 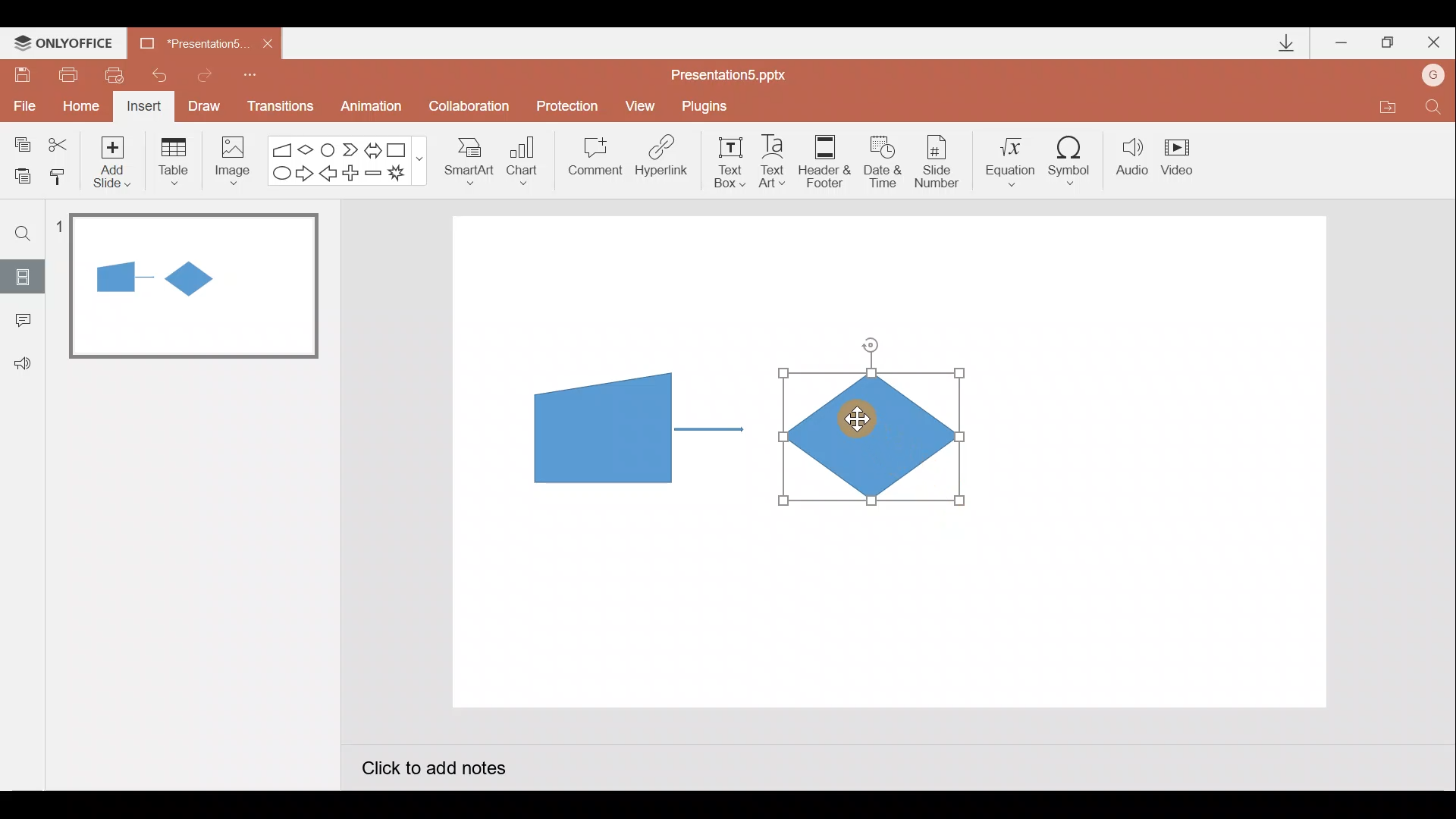 What do you see at coordinates (19, 322) in the screenshot?
I see `Comments` at bounding box center [19, 322].